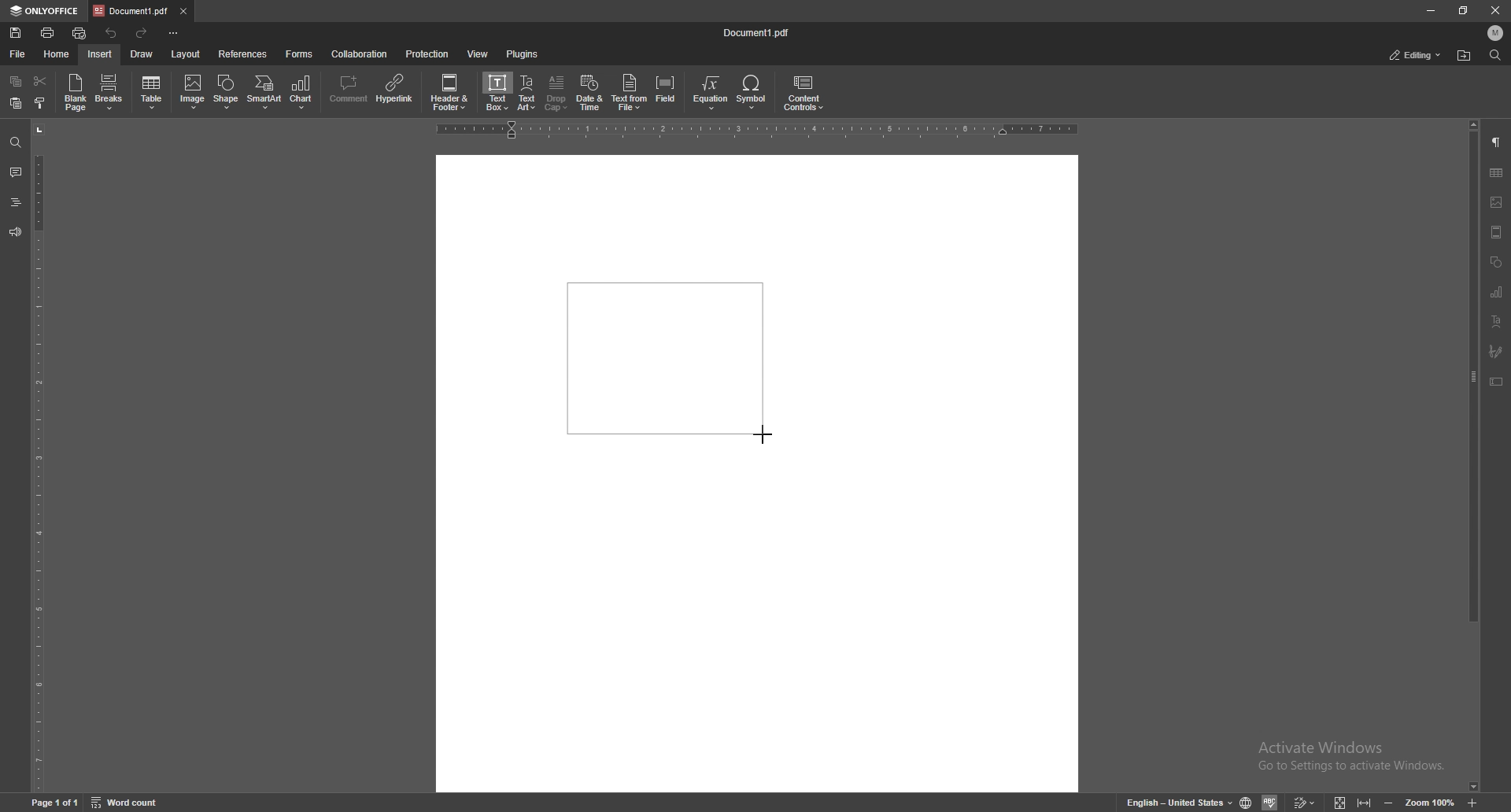 This screenshot has width=1511, height=812. I want to click on text art, so click(528, 94).